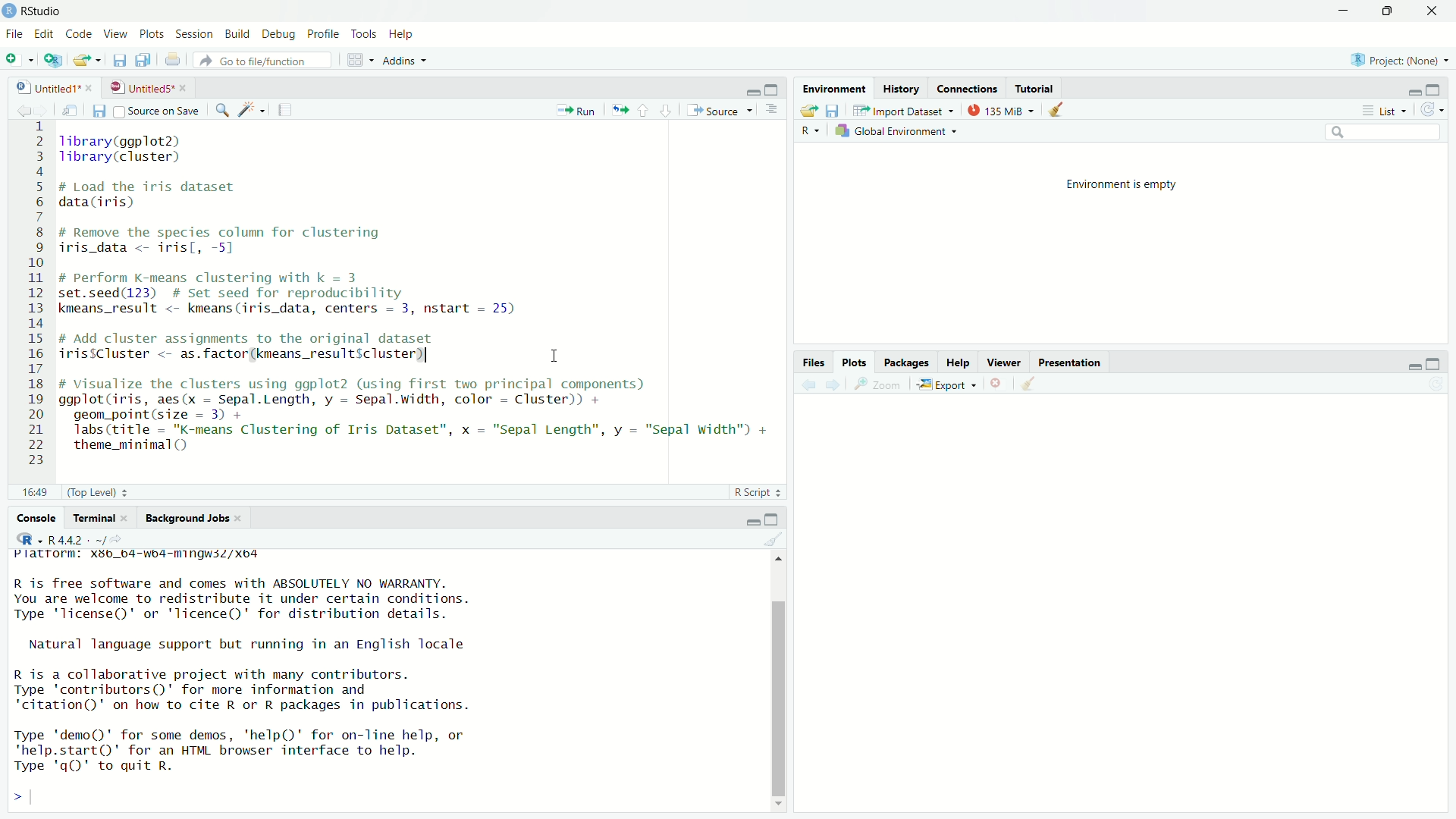 The height and width of the screenshot is (819, 1456). What do you see at coordinates (358, 60) in the screenshot?
I see `workspace panes` at bounding box center [358, 60].